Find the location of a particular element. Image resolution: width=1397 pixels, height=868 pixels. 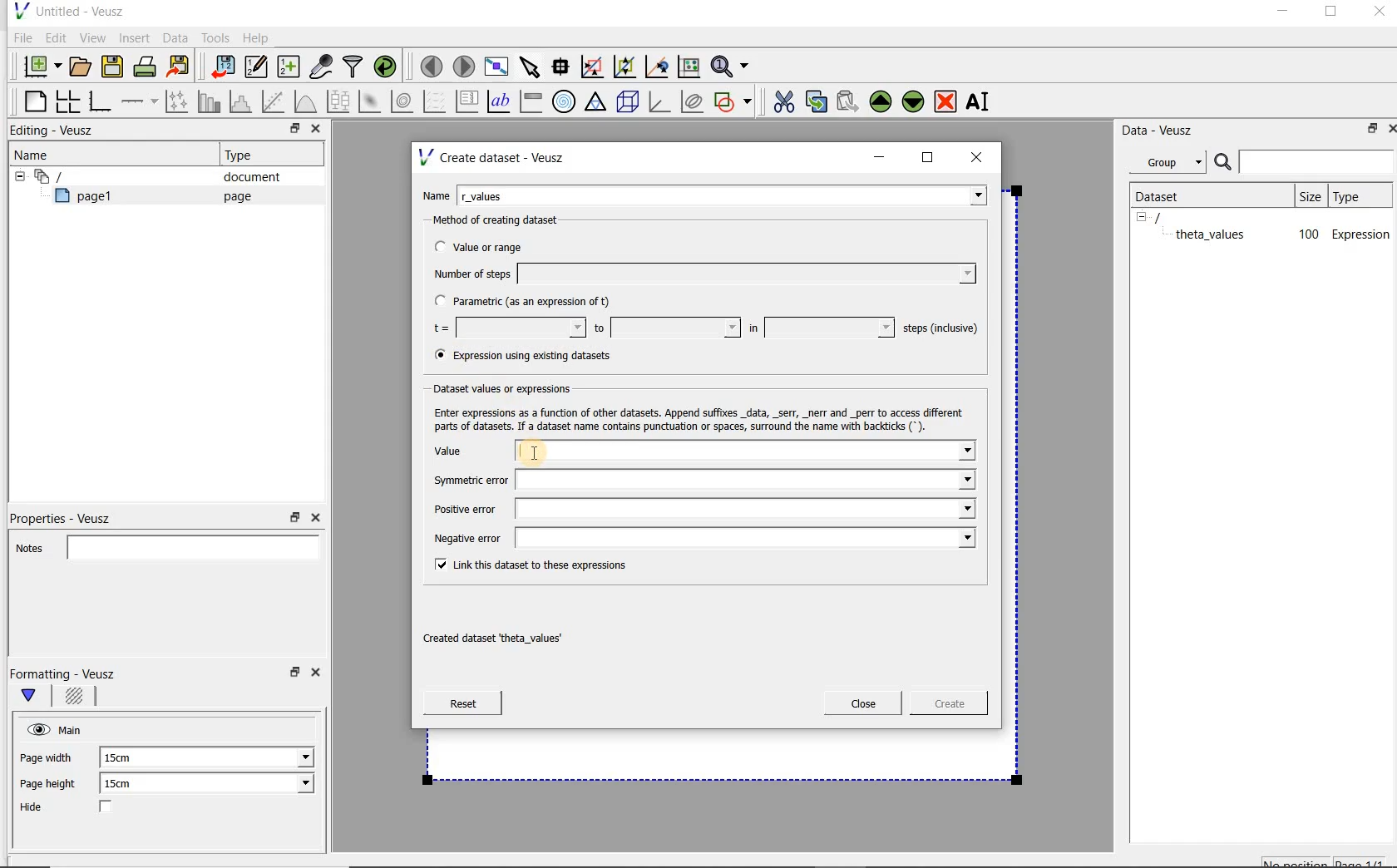

Page width is located at coordinates (47, 755).